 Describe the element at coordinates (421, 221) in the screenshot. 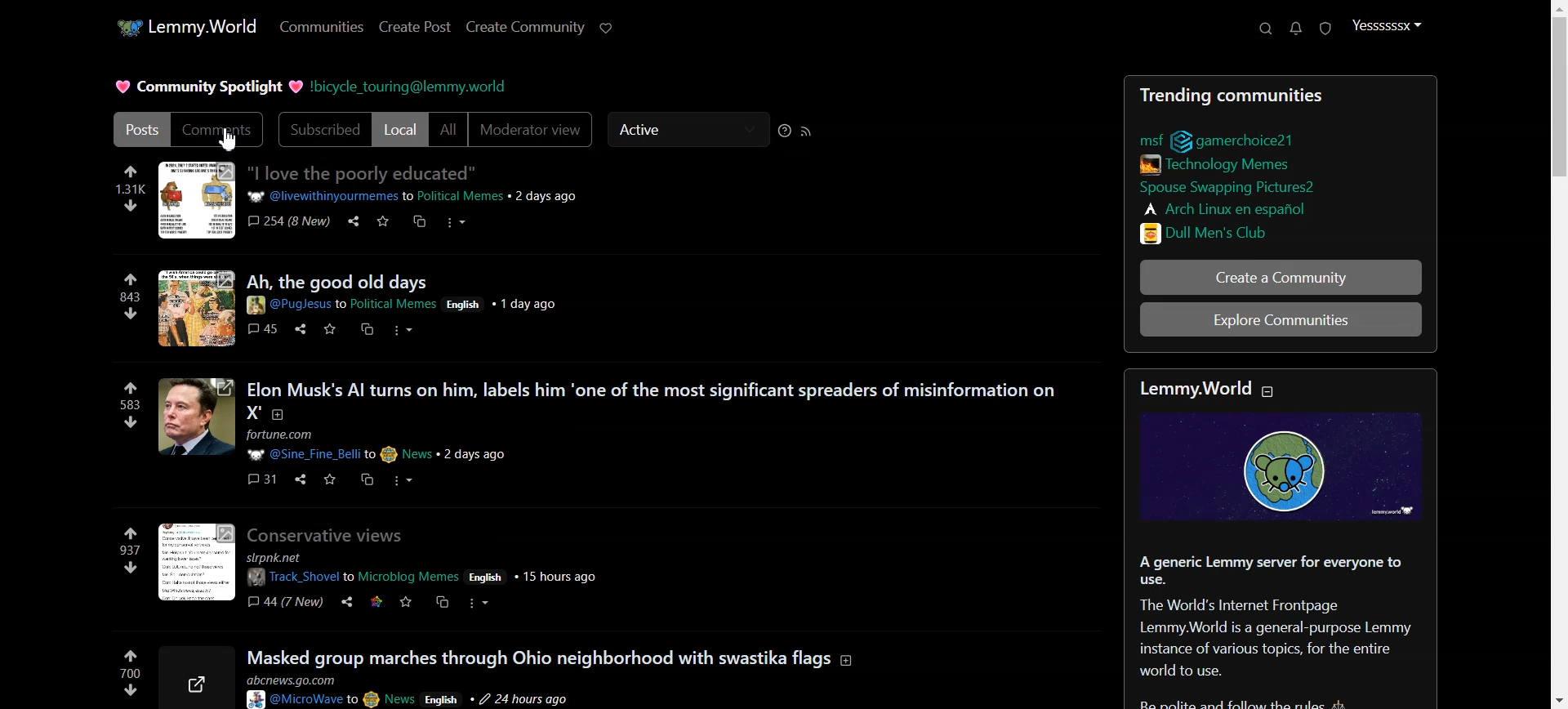

I see `cross post` at that location.